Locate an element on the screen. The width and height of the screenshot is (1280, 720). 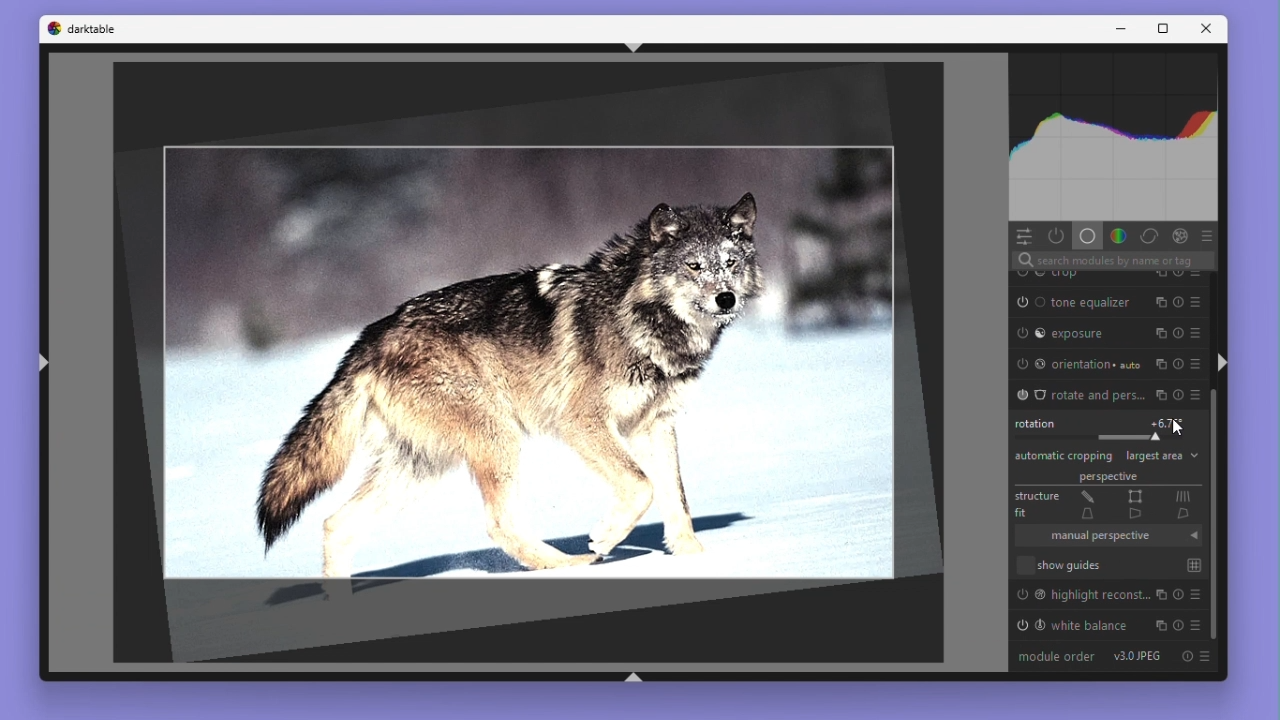
Automatic cropping is located at coordinates (1064, 456).